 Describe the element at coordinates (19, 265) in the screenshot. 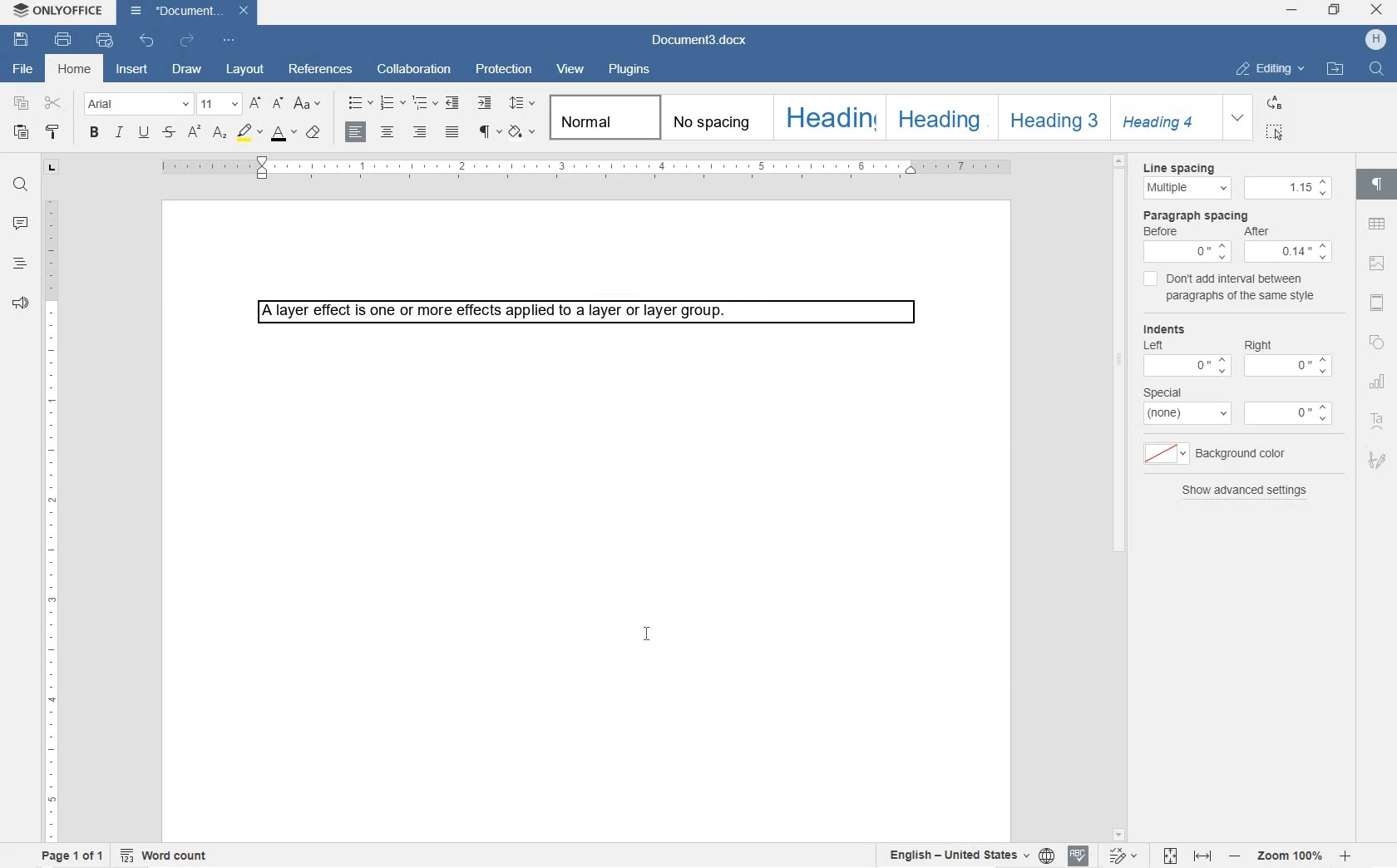

I see `HEADINGS` at that location.